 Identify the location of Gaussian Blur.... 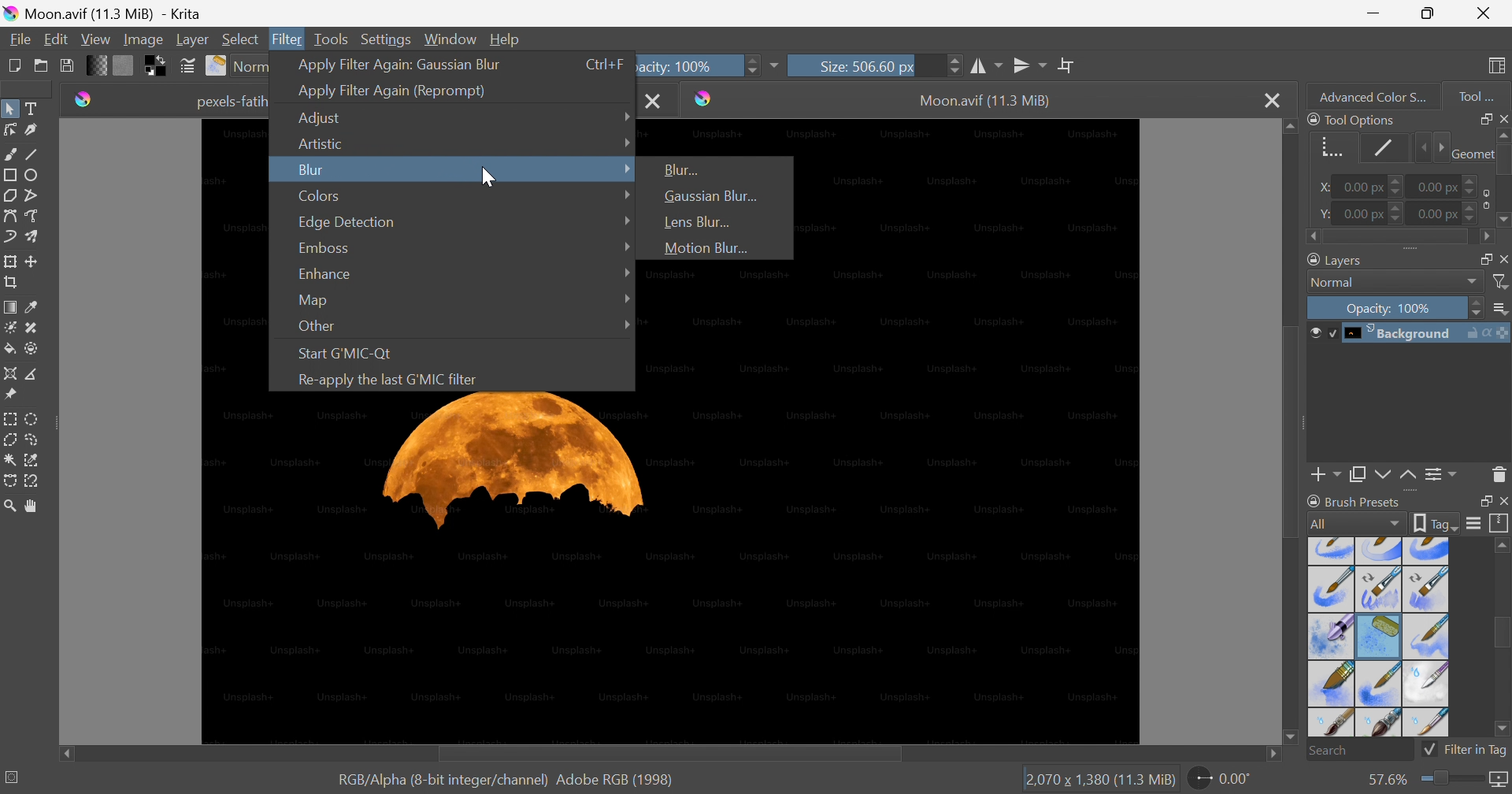
(708, 195).